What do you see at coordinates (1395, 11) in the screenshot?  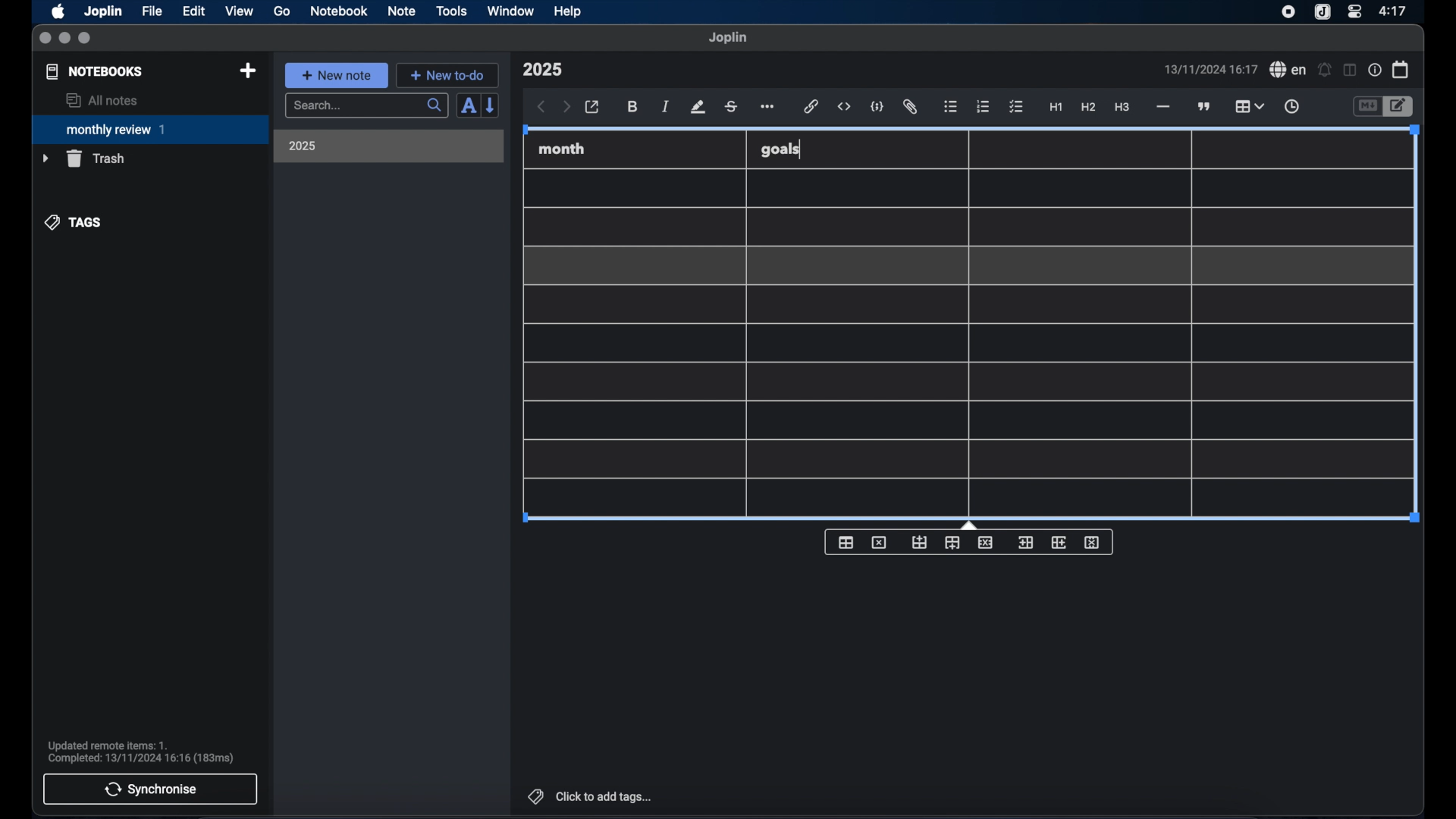 I see `time` at bounding box center [1395, 11].